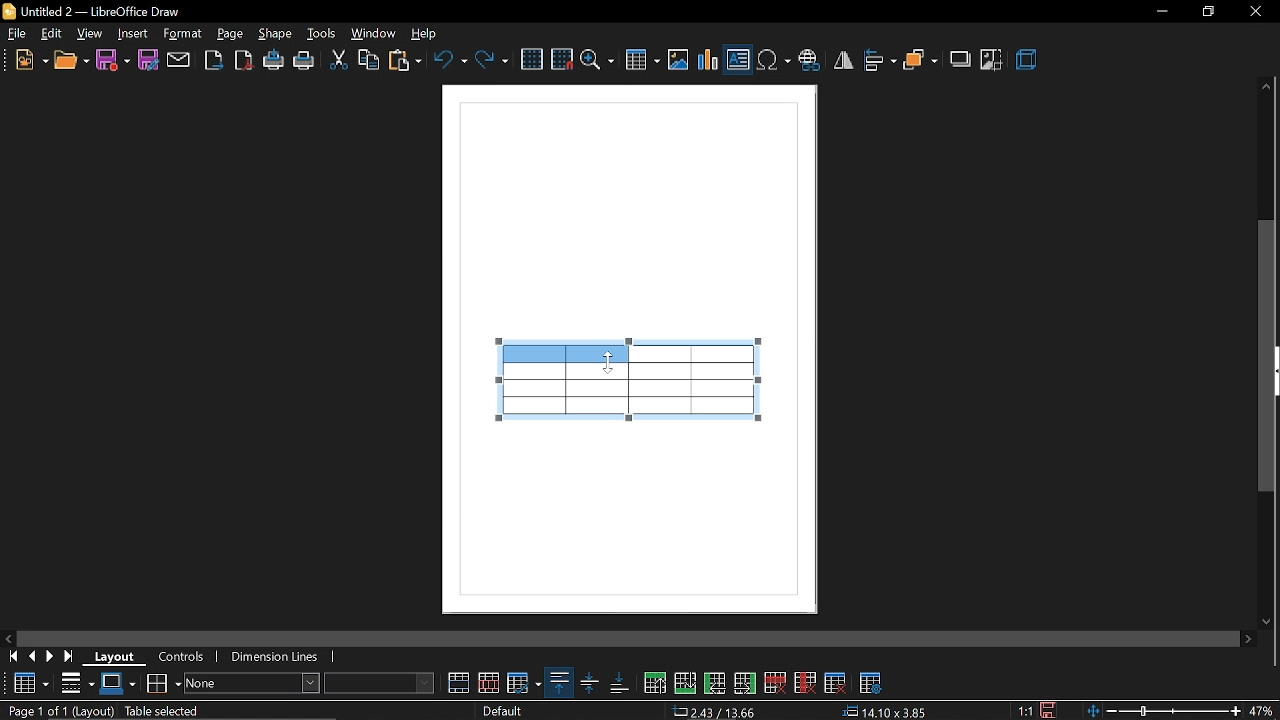 The width and height of the screenshot is (1280, 720). I want to click on help, so click(429, 33).